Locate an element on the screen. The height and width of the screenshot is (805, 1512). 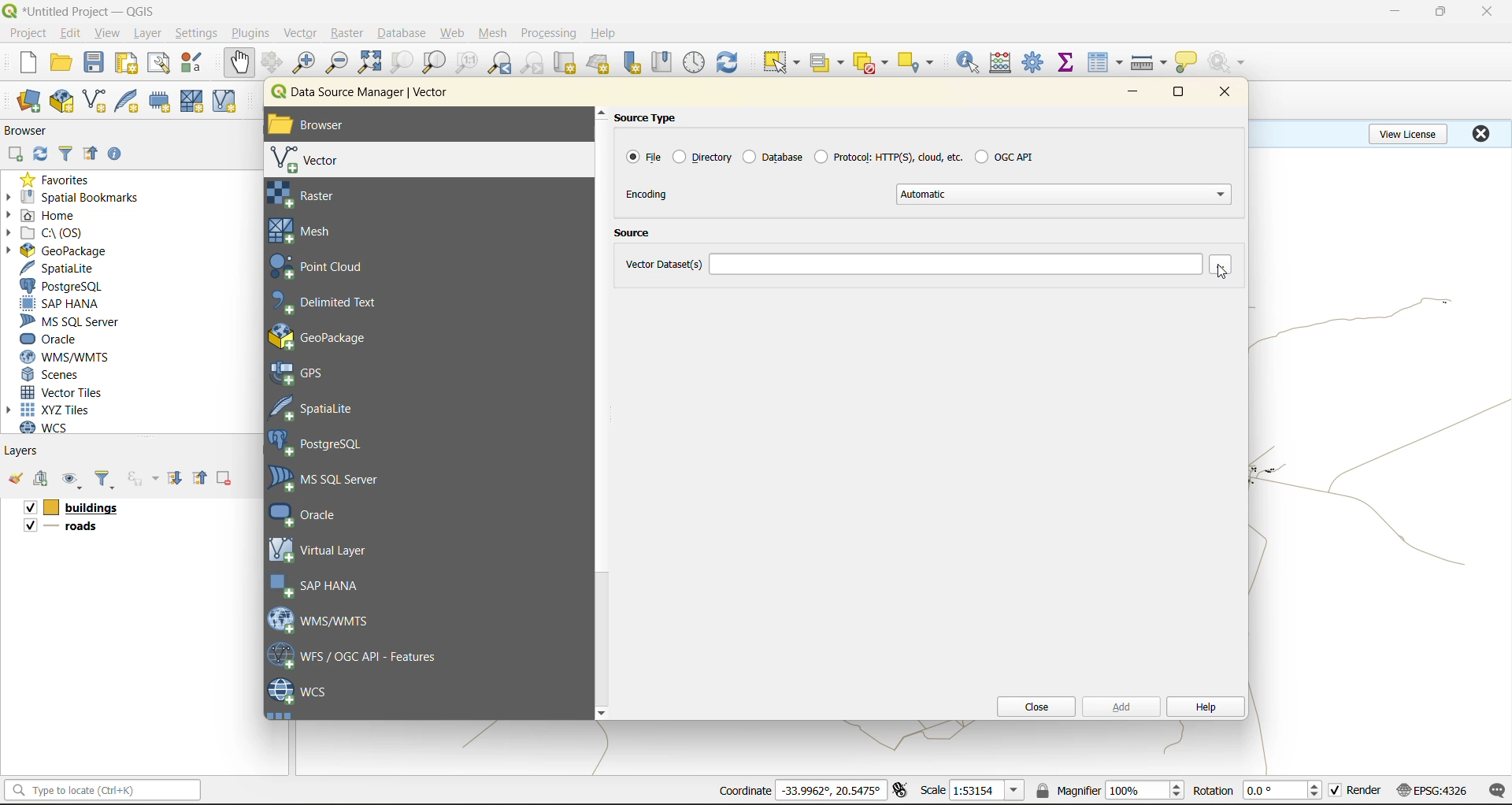
mesh is located at coordinates (495, 35).